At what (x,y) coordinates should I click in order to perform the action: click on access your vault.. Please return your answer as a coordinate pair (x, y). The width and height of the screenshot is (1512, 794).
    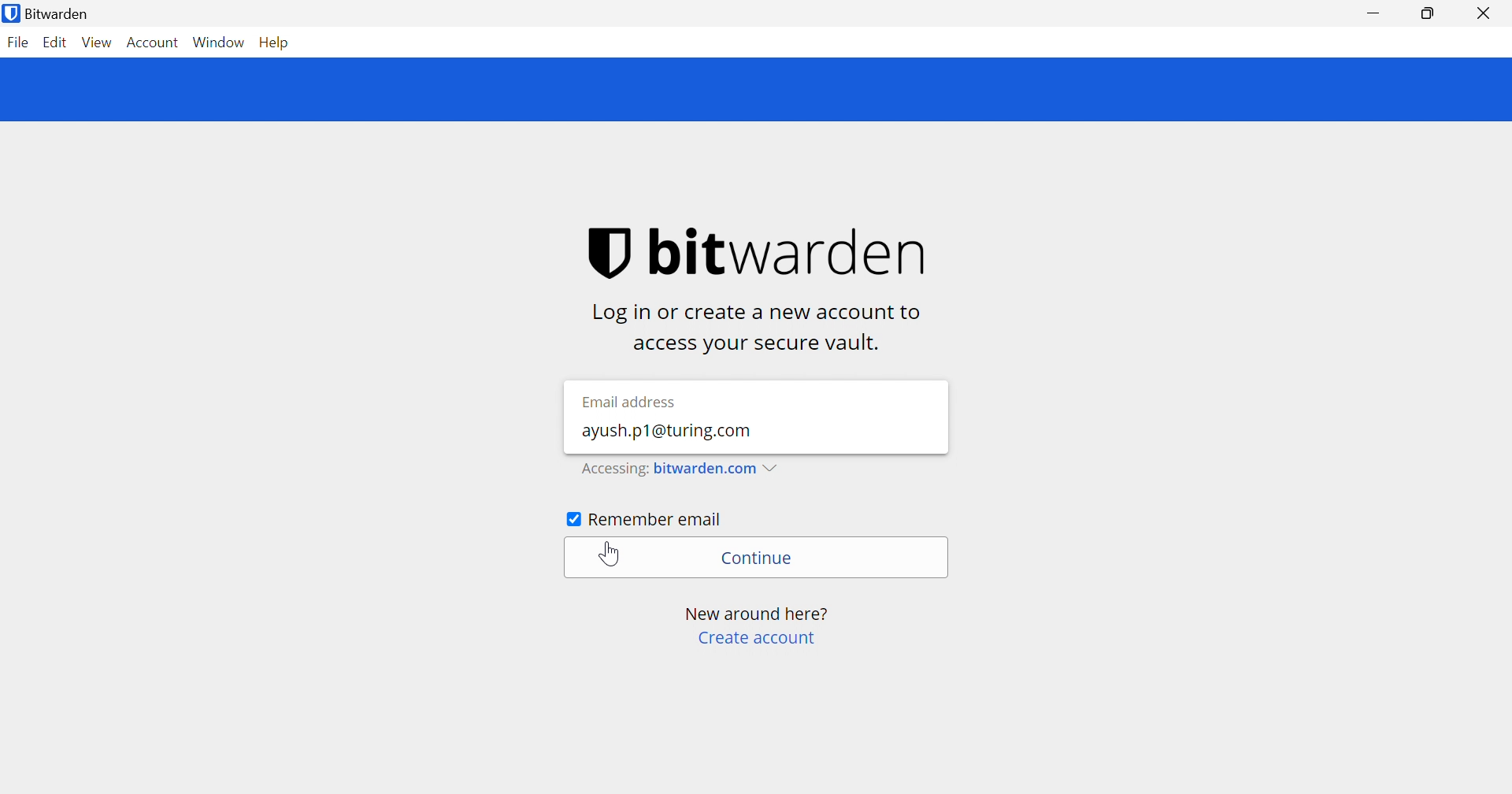
    Looking at the image, I should click on (754, 344).